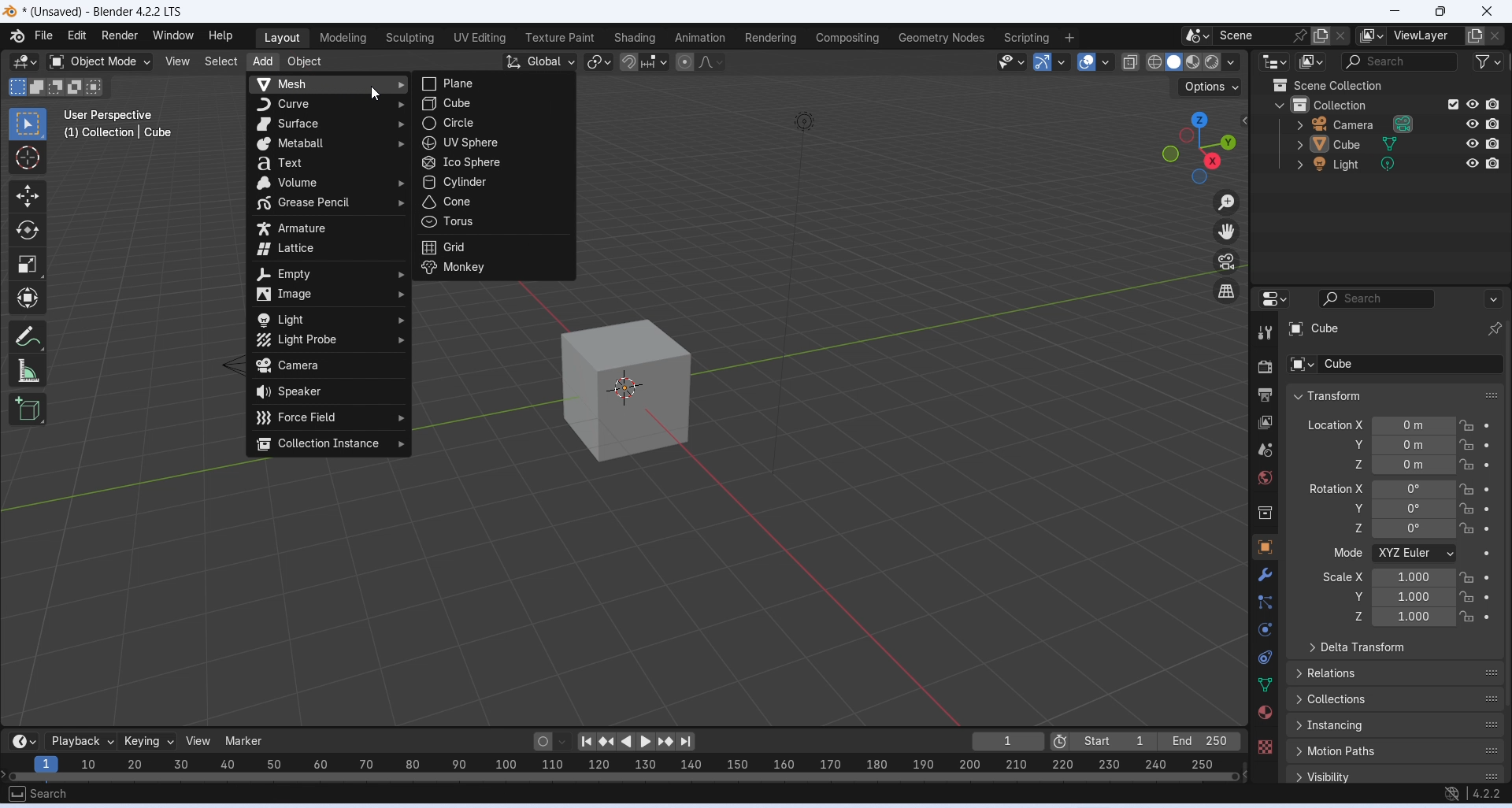  Describe the element at coordinates (1266, 423) in the screenshot. I see `view layer` at that location.